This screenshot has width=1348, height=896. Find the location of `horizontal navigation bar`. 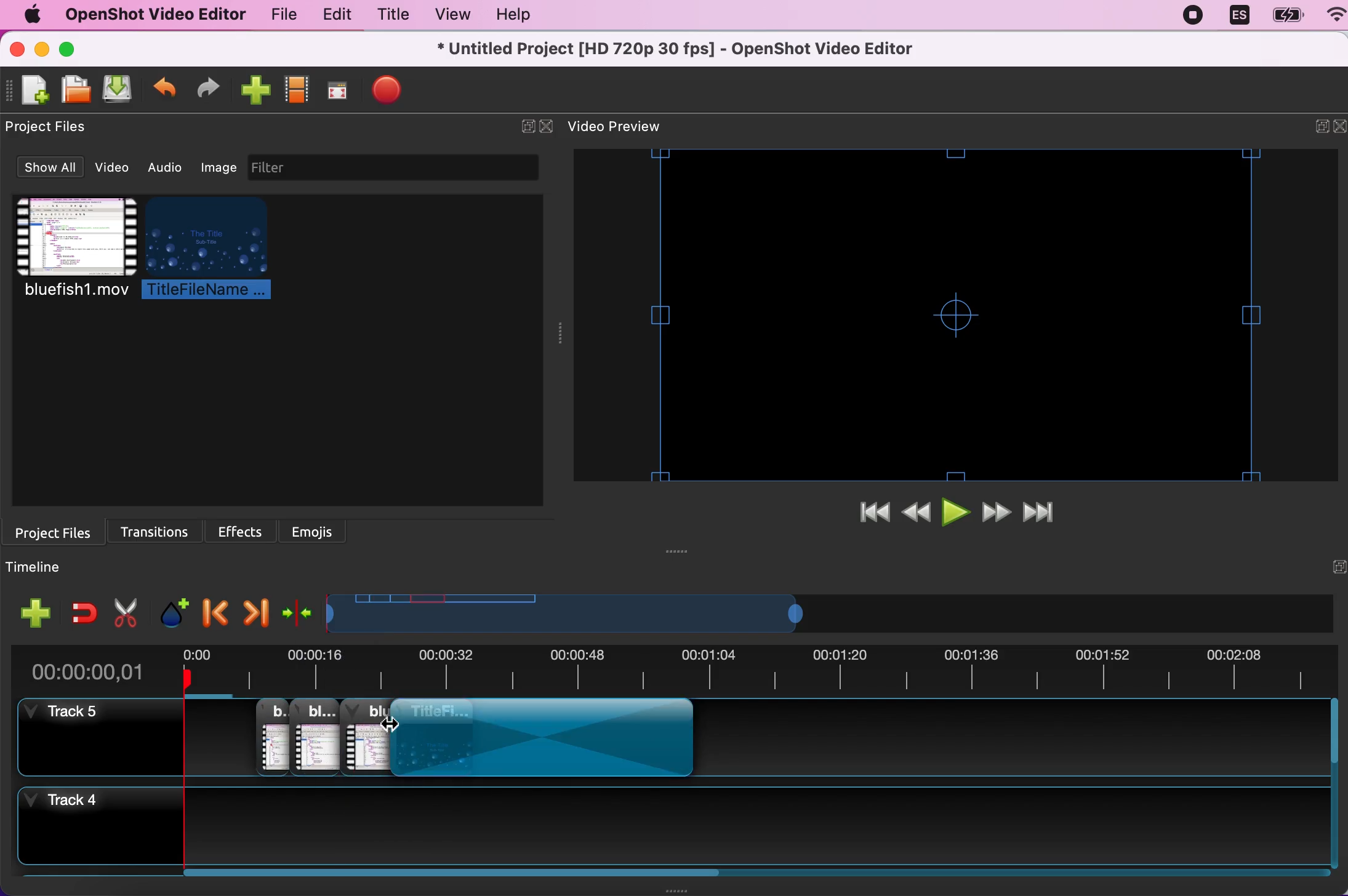

horizontal navigation bar is located at coordinates (758, 873).